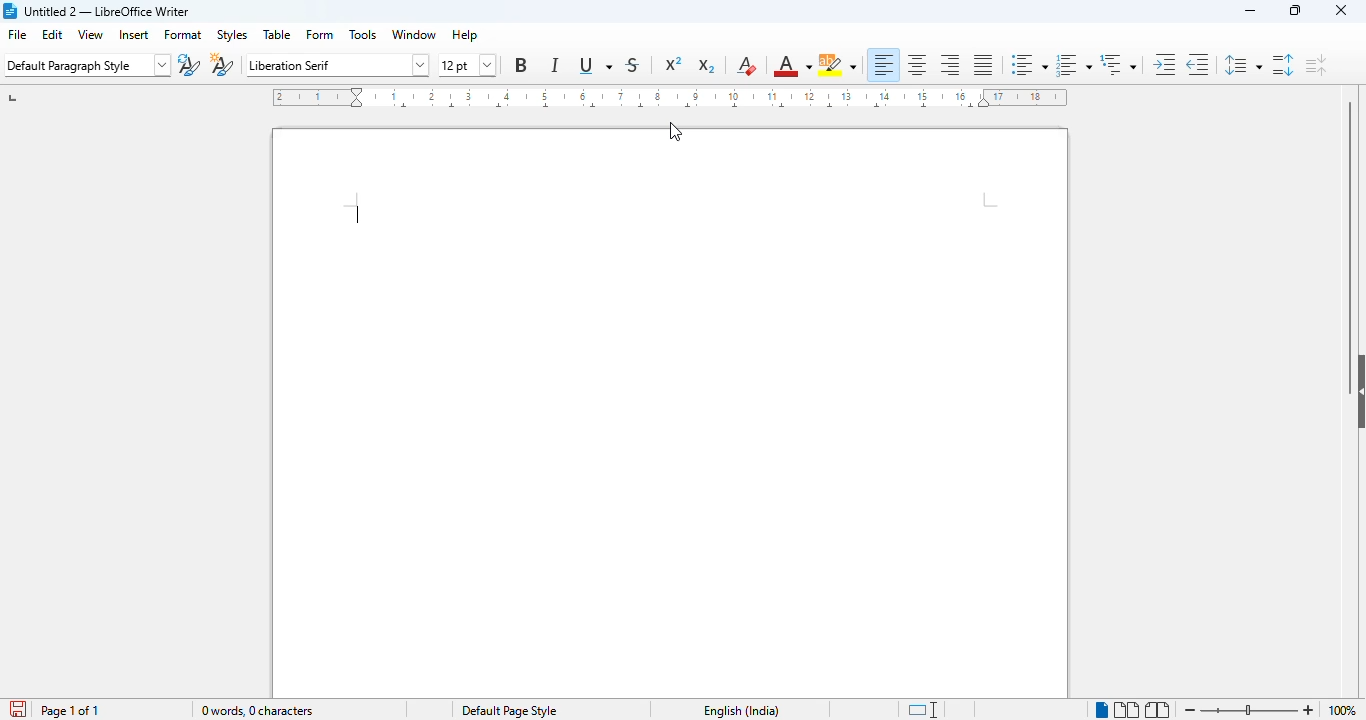  I want to click on toggle unordered list, so click(1028, 65).